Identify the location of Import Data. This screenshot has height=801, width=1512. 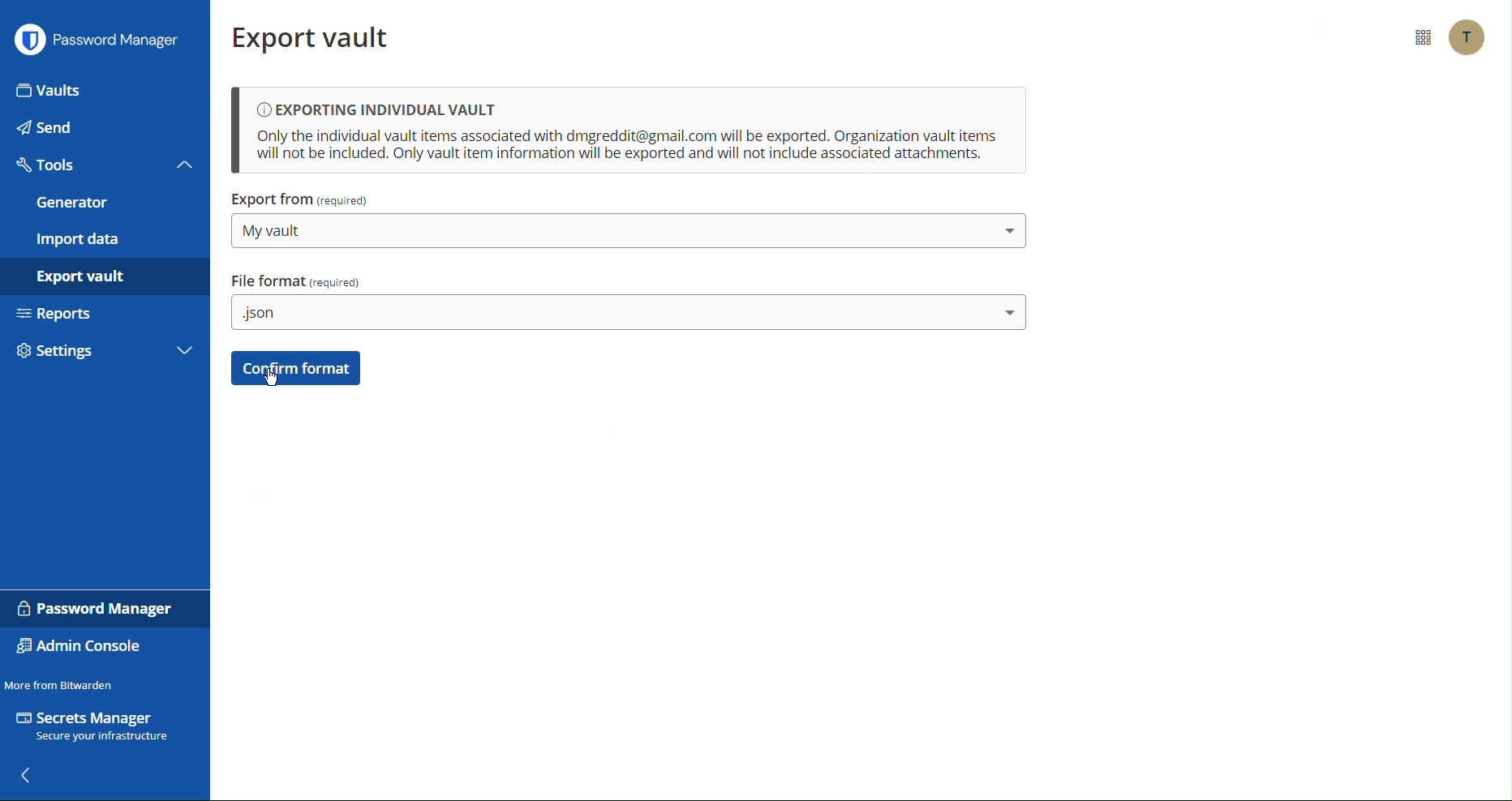
(79, 240).